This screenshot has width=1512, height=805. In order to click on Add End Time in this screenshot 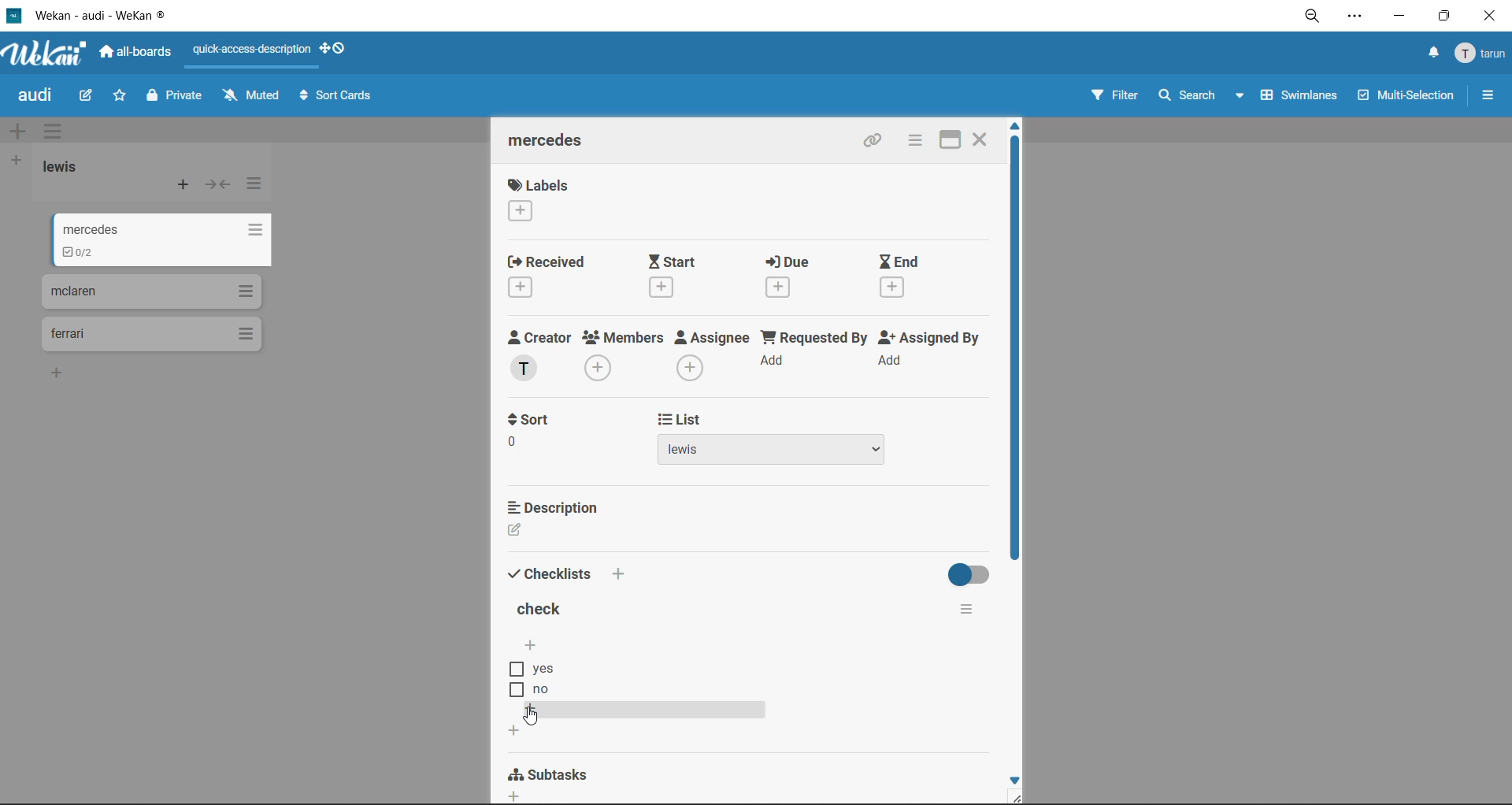, I will do `click(898, 287)`.